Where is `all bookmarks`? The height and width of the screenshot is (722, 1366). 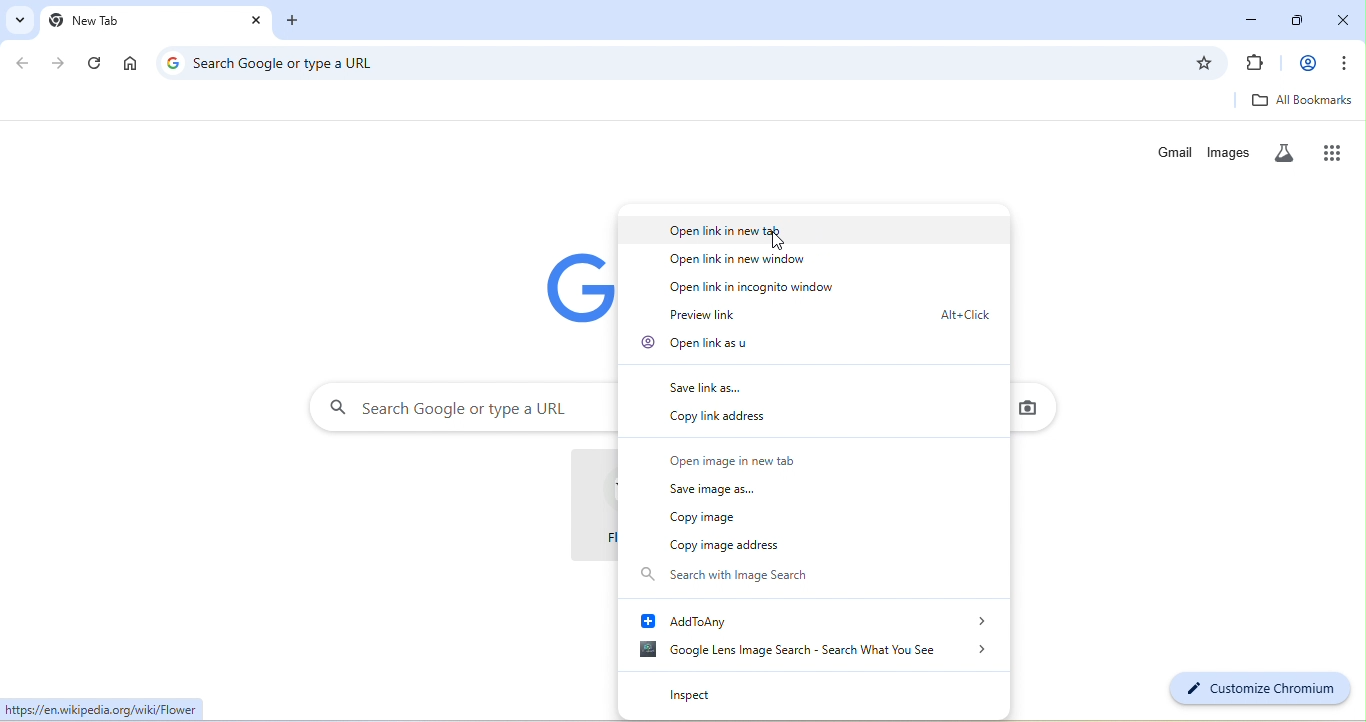 all bookmarks is located at coordinates (1302, 100).